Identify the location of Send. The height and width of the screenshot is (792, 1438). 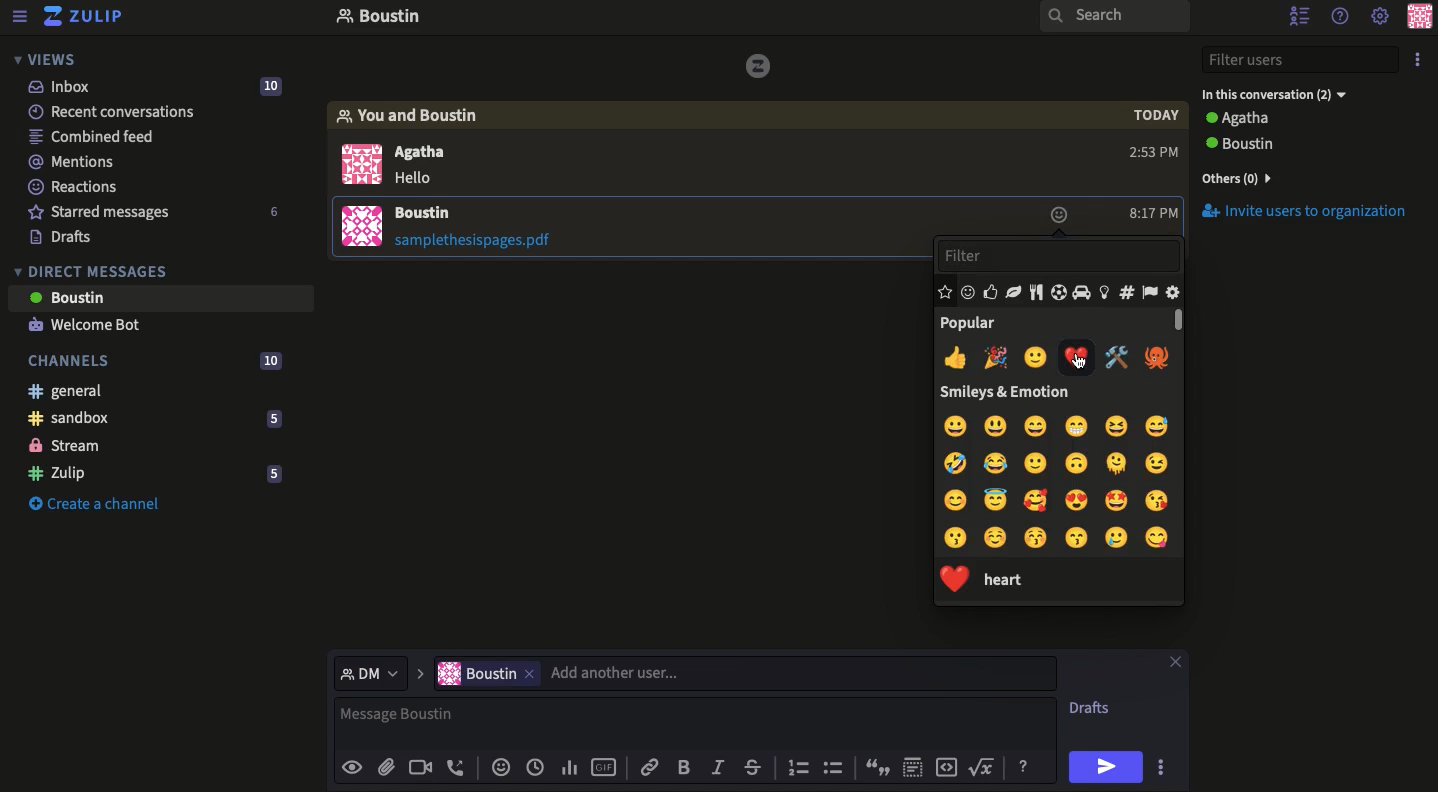
(1104, 766).